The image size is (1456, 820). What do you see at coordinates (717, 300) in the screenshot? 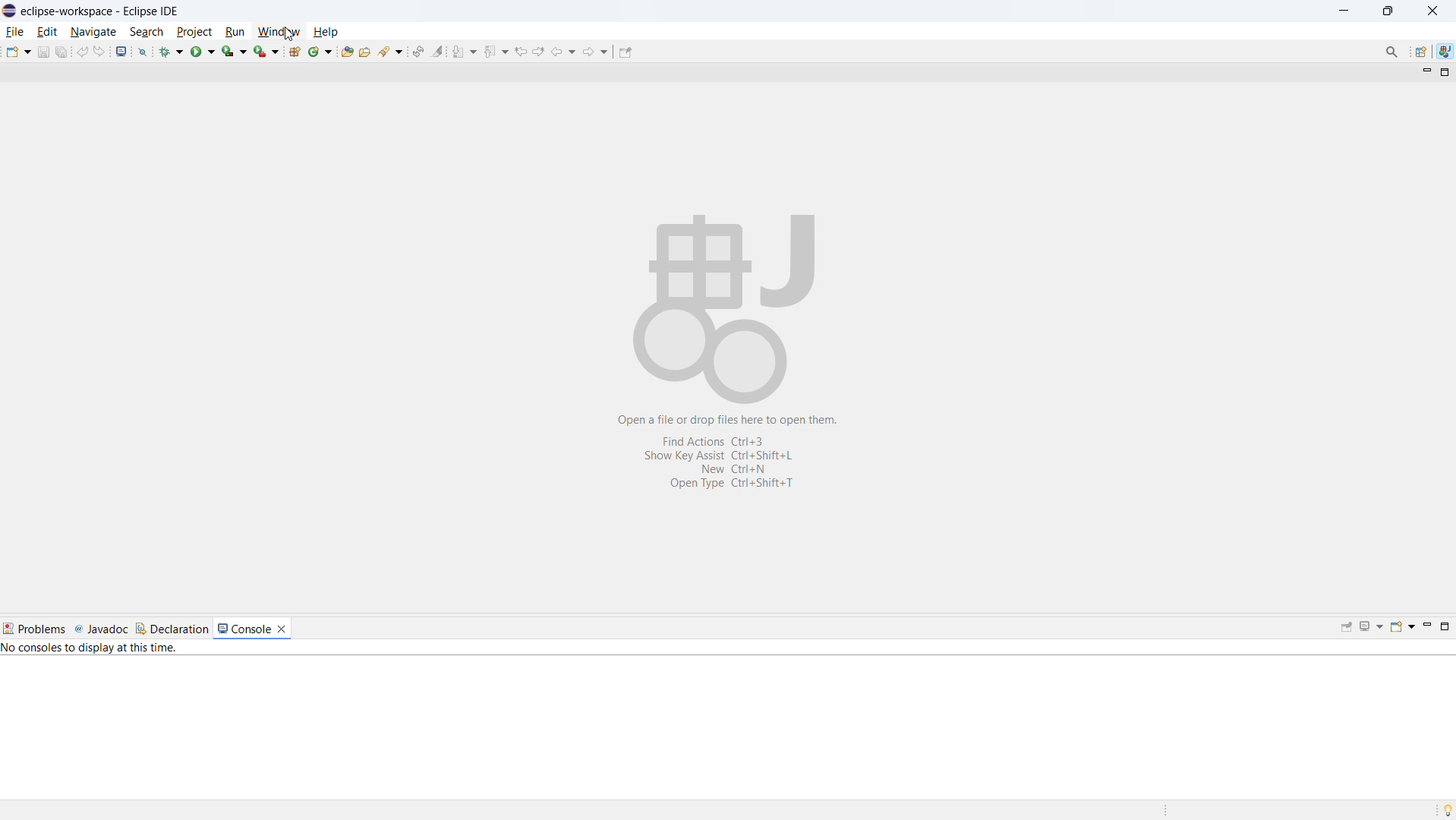
I see `Workspace logo` at bounding box center [717, 300].